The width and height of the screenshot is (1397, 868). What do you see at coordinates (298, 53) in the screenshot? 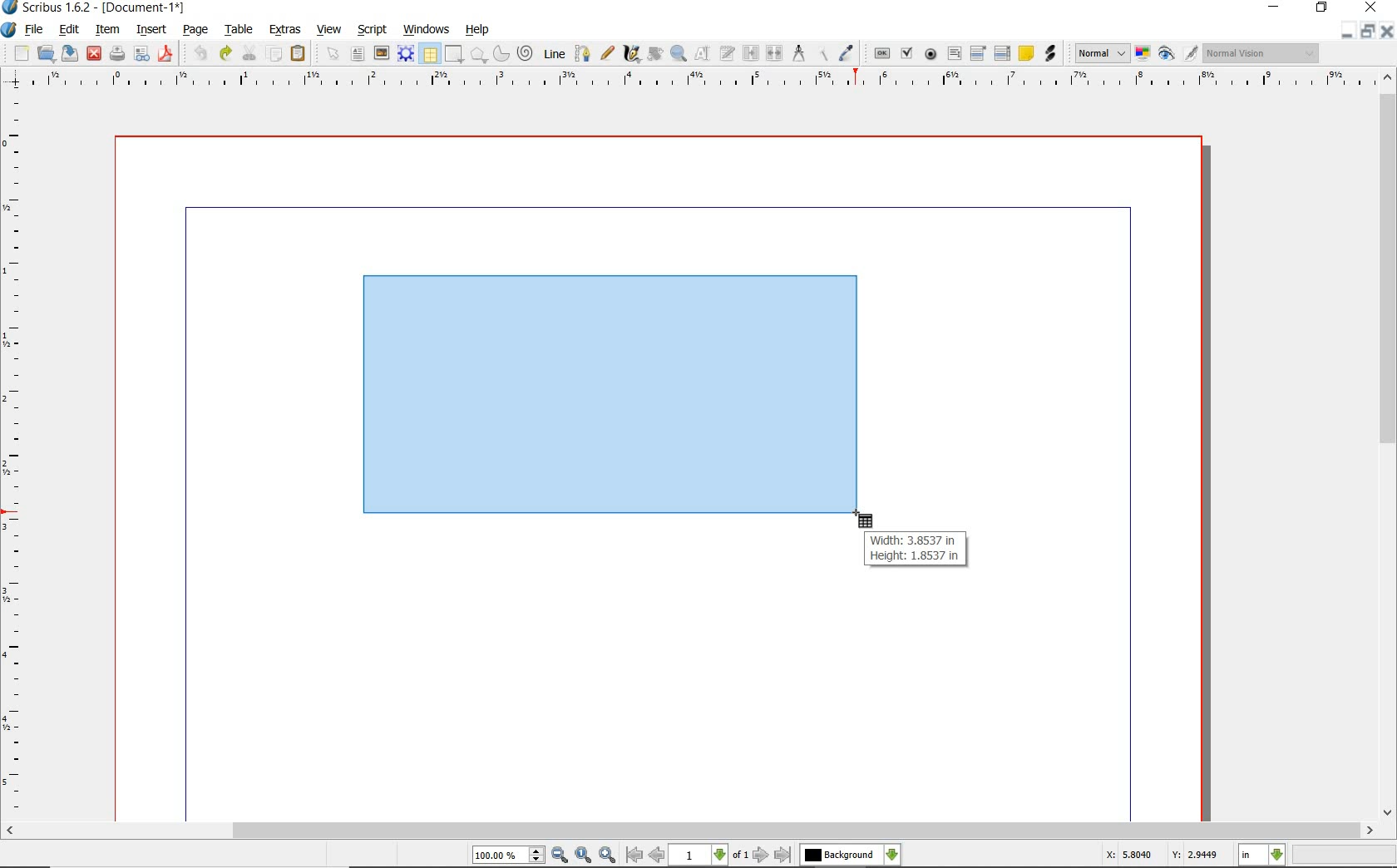
I see `paste` at bounding box center [298, 53].